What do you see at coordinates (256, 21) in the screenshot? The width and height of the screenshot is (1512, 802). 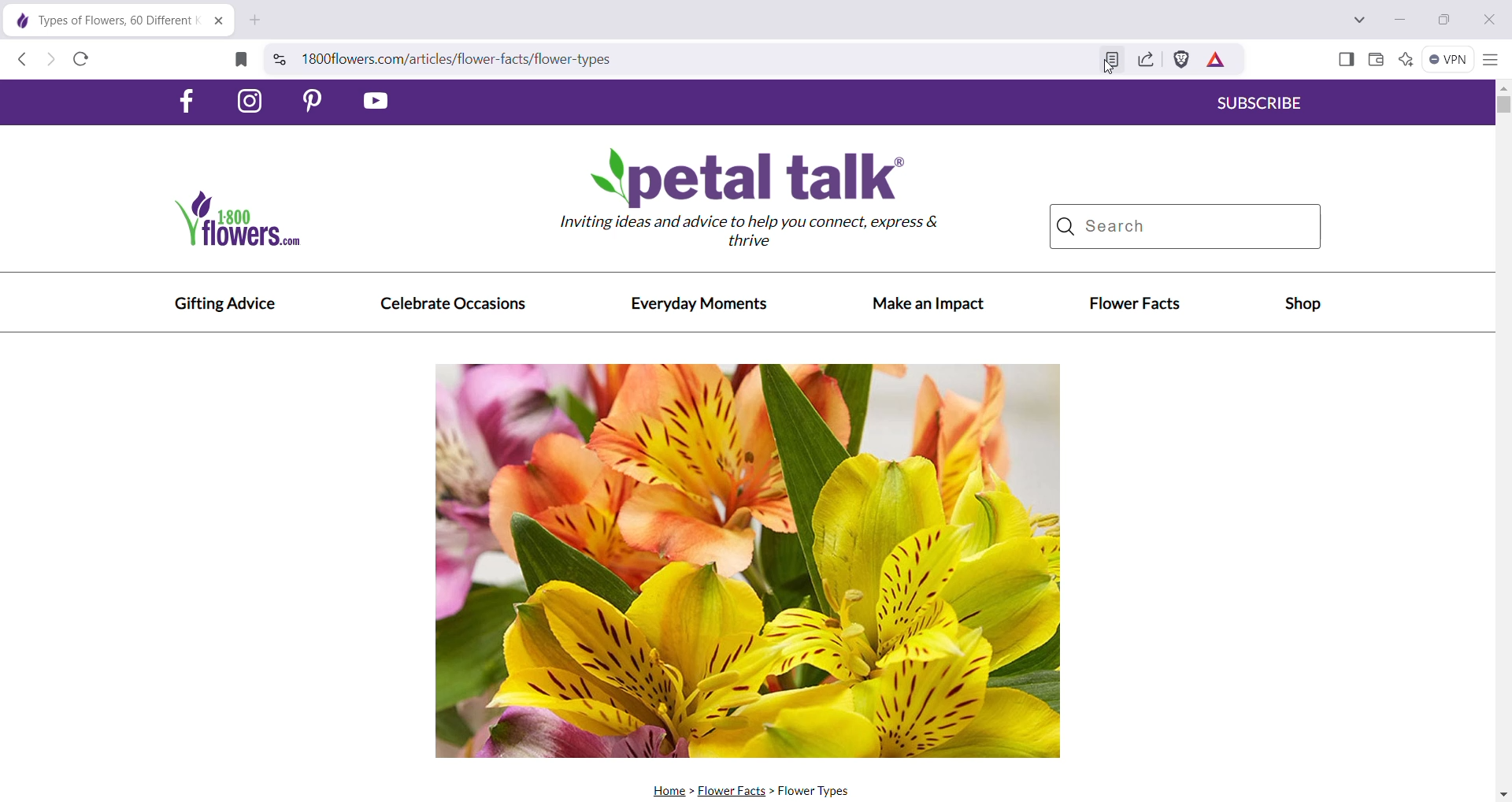 I see `New Tab` at bounding box center [256, 21].